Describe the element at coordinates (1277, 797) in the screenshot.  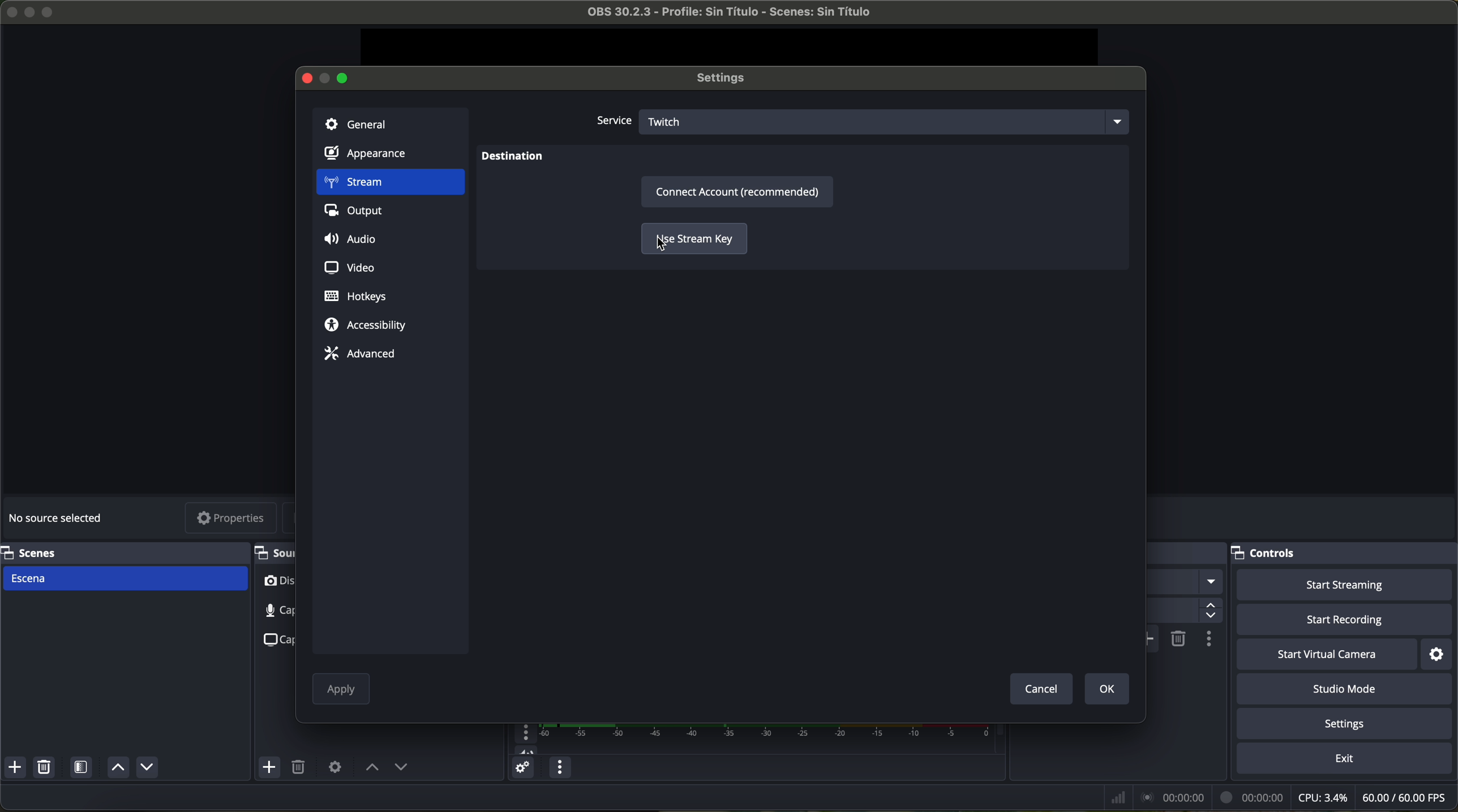
I see `data` at that location.